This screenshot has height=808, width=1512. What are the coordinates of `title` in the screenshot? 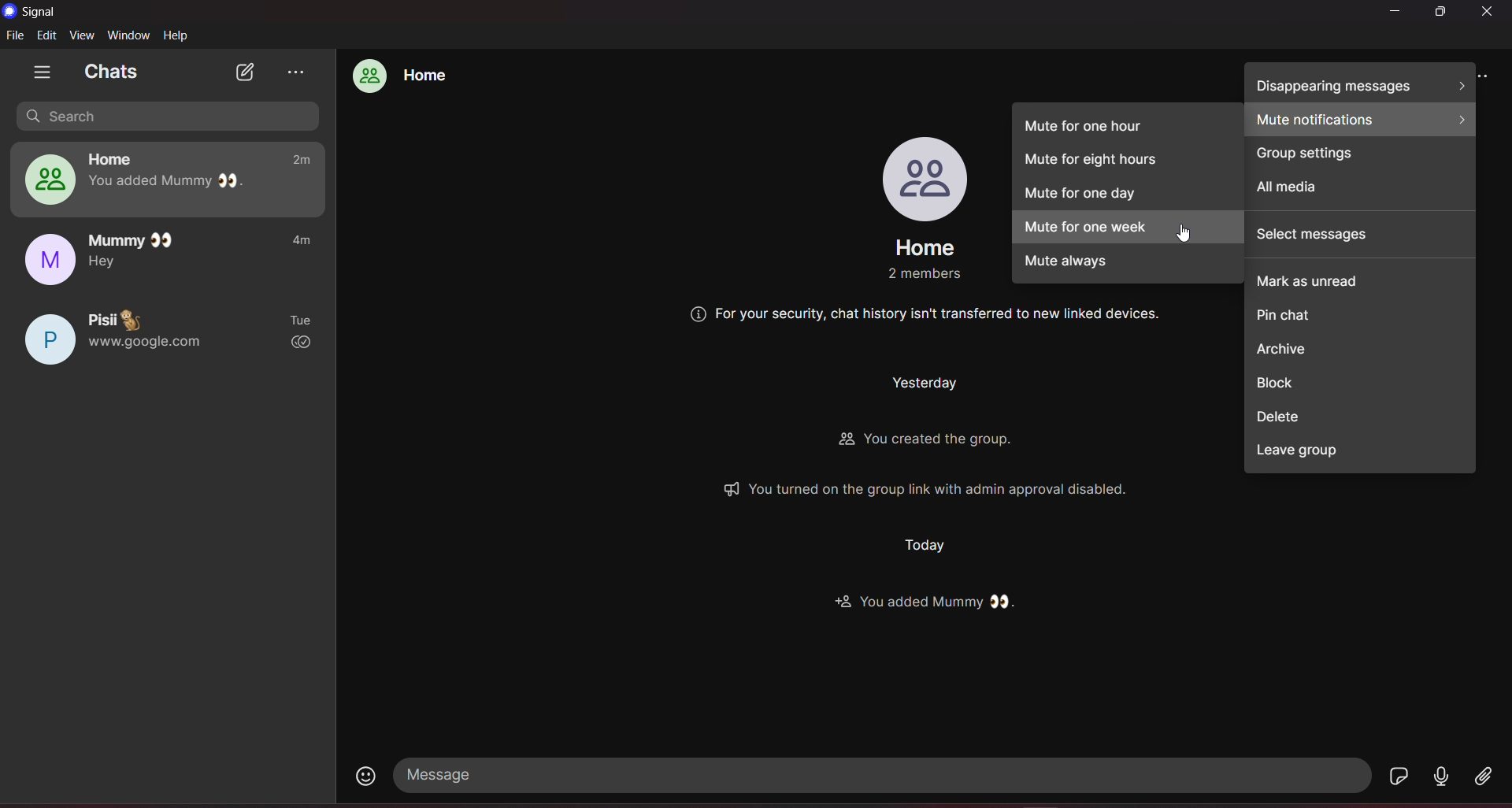 It's located at (43, 11).